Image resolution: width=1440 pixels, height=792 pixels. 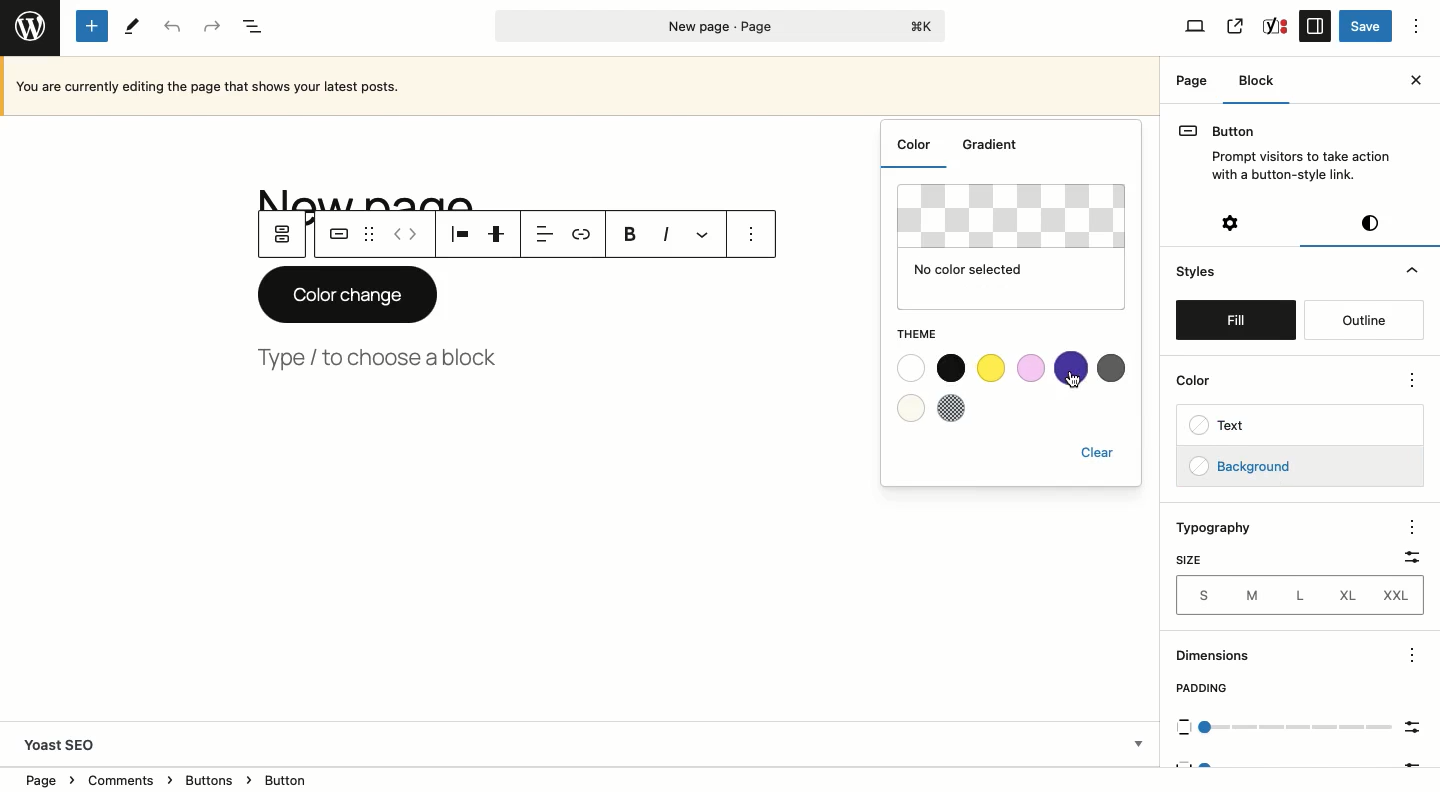 What do you see at coordinates (1316, 25) in the screenshot?
I see `Sidebar` at bounding box center [1316, 25].